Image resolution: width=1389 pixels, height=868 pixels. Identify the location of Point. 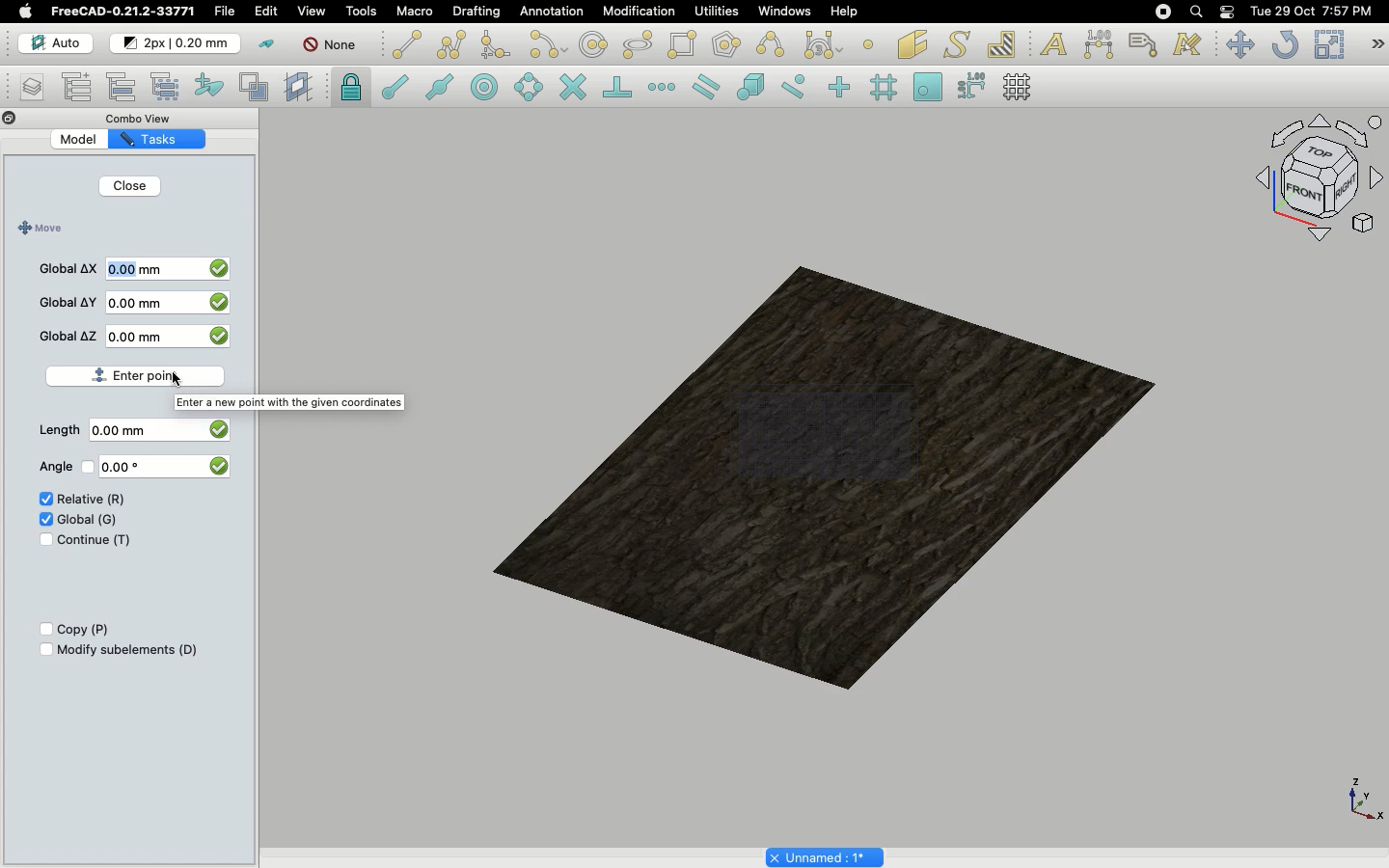
(868, 42).